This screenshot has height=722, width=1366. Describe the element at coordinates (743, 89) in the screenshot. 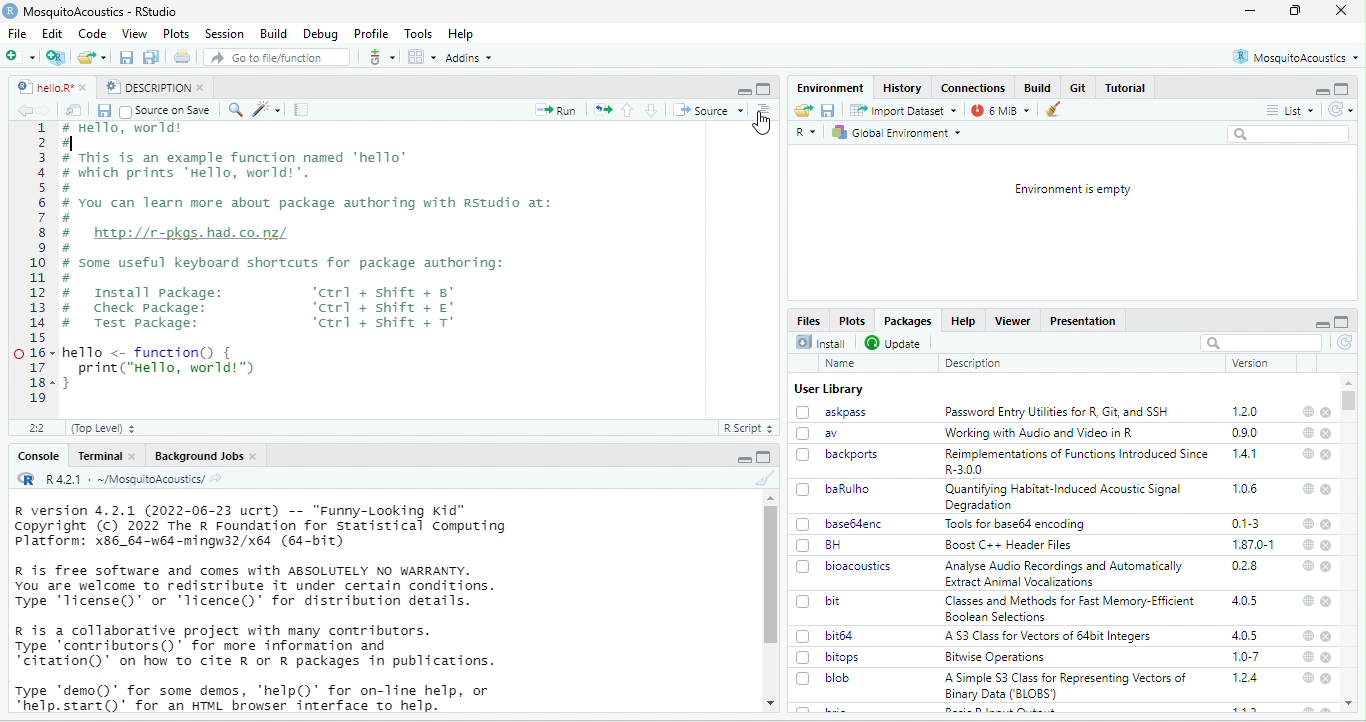

I see `maximize` at that location.